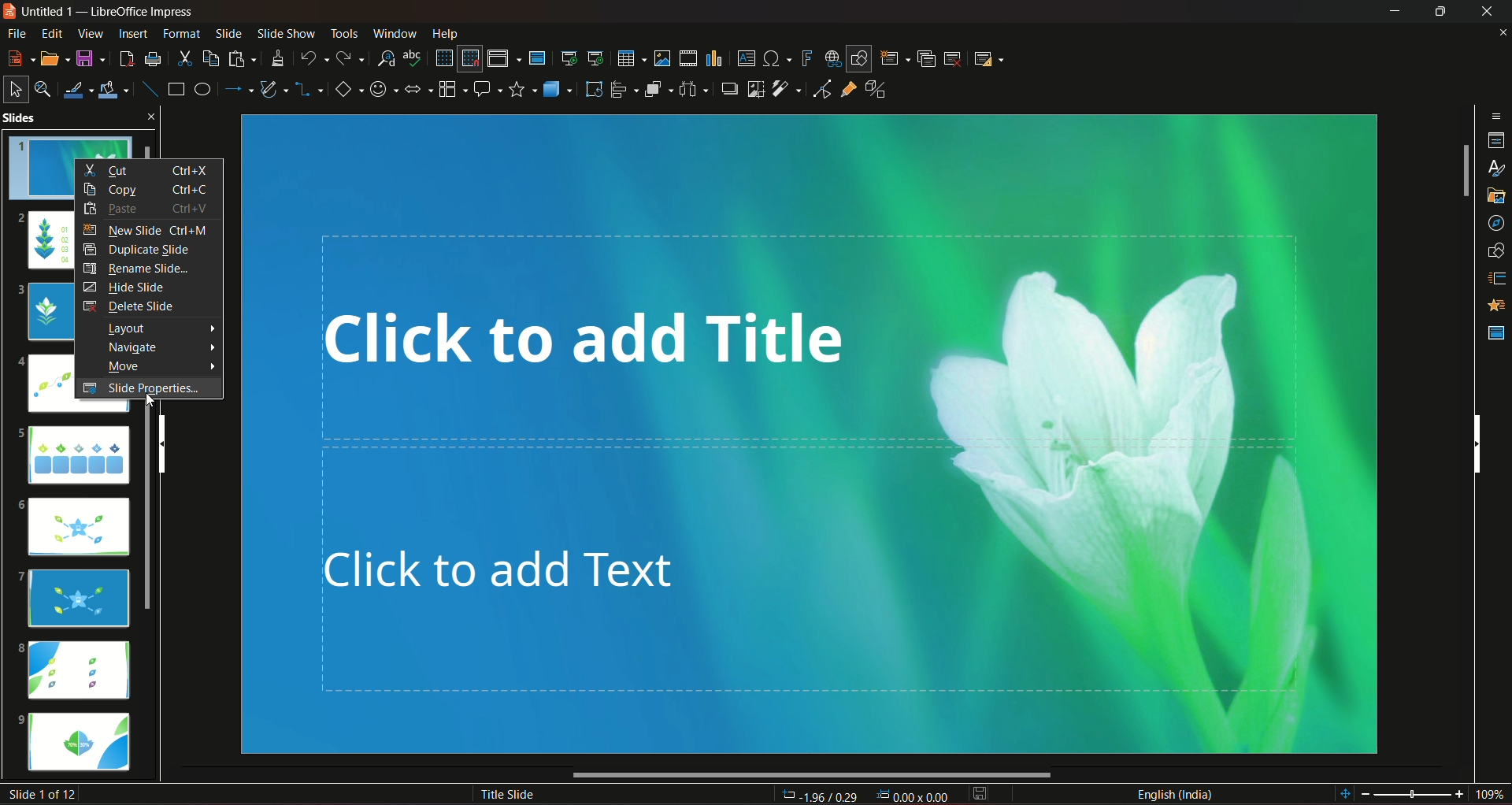  Describe the element at coordinates (807, 58) in the screenshot. I see `insert fontwork` at that location.